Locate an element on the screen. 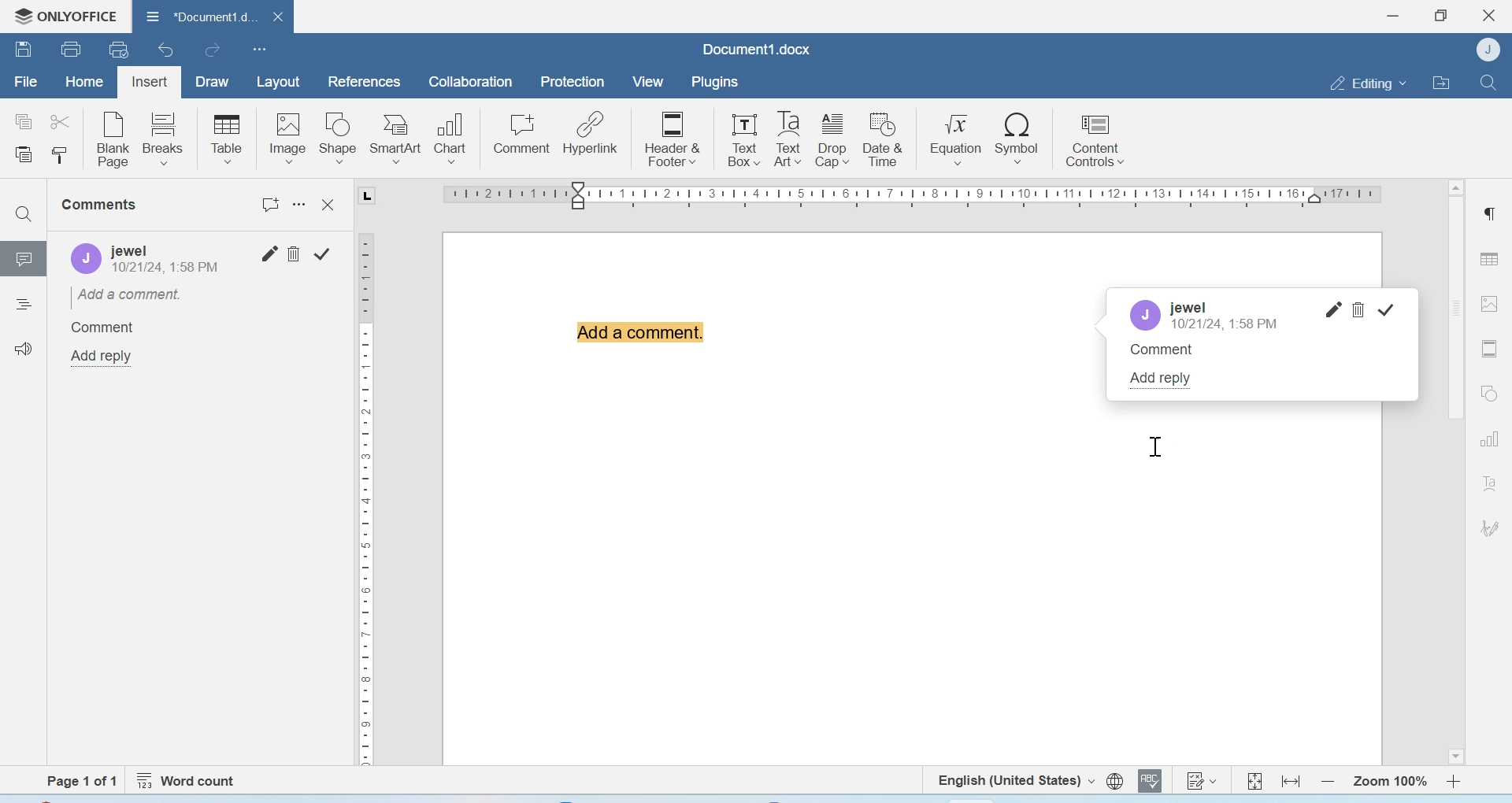 The height and width of the screenshot is (803, 1512). References is located at coordinates (365, 81).